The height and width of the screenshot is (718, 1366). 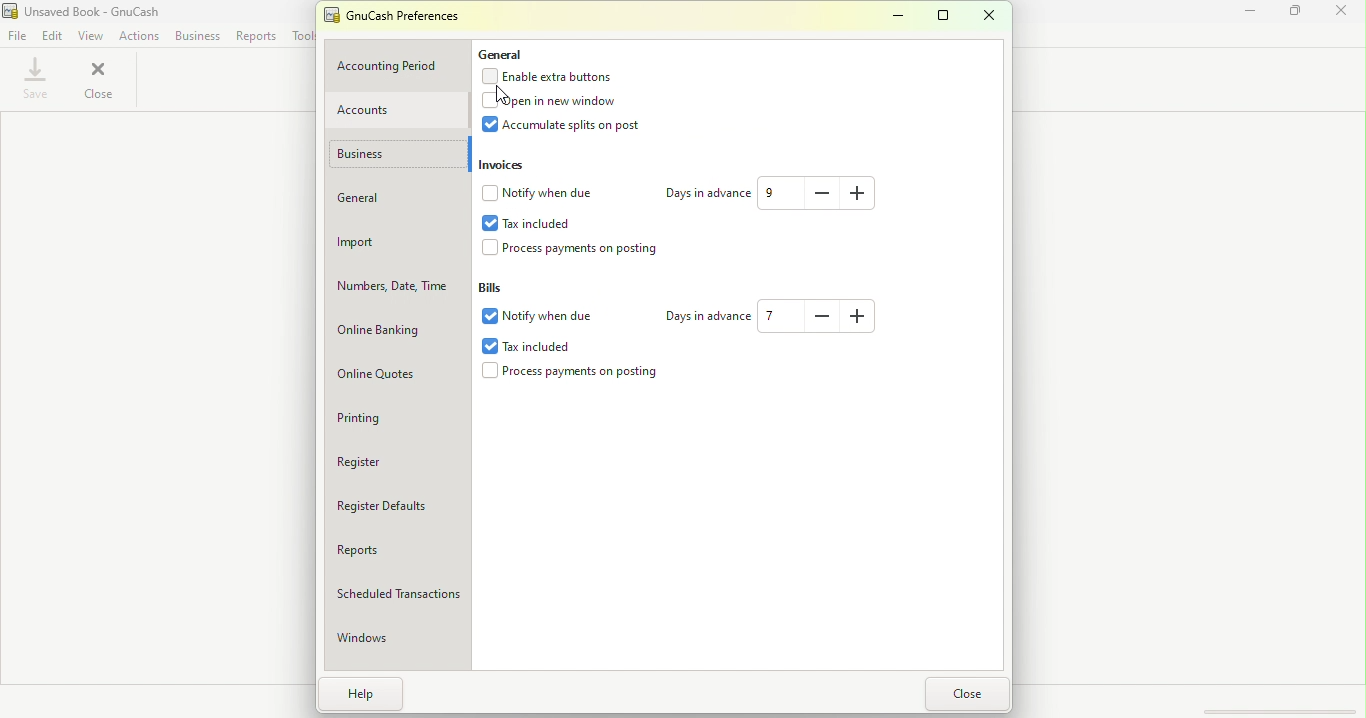 What do you see at coordinates (394, 112) in the screenshot?
I see `Accounts` at bounding box center [394, 112].